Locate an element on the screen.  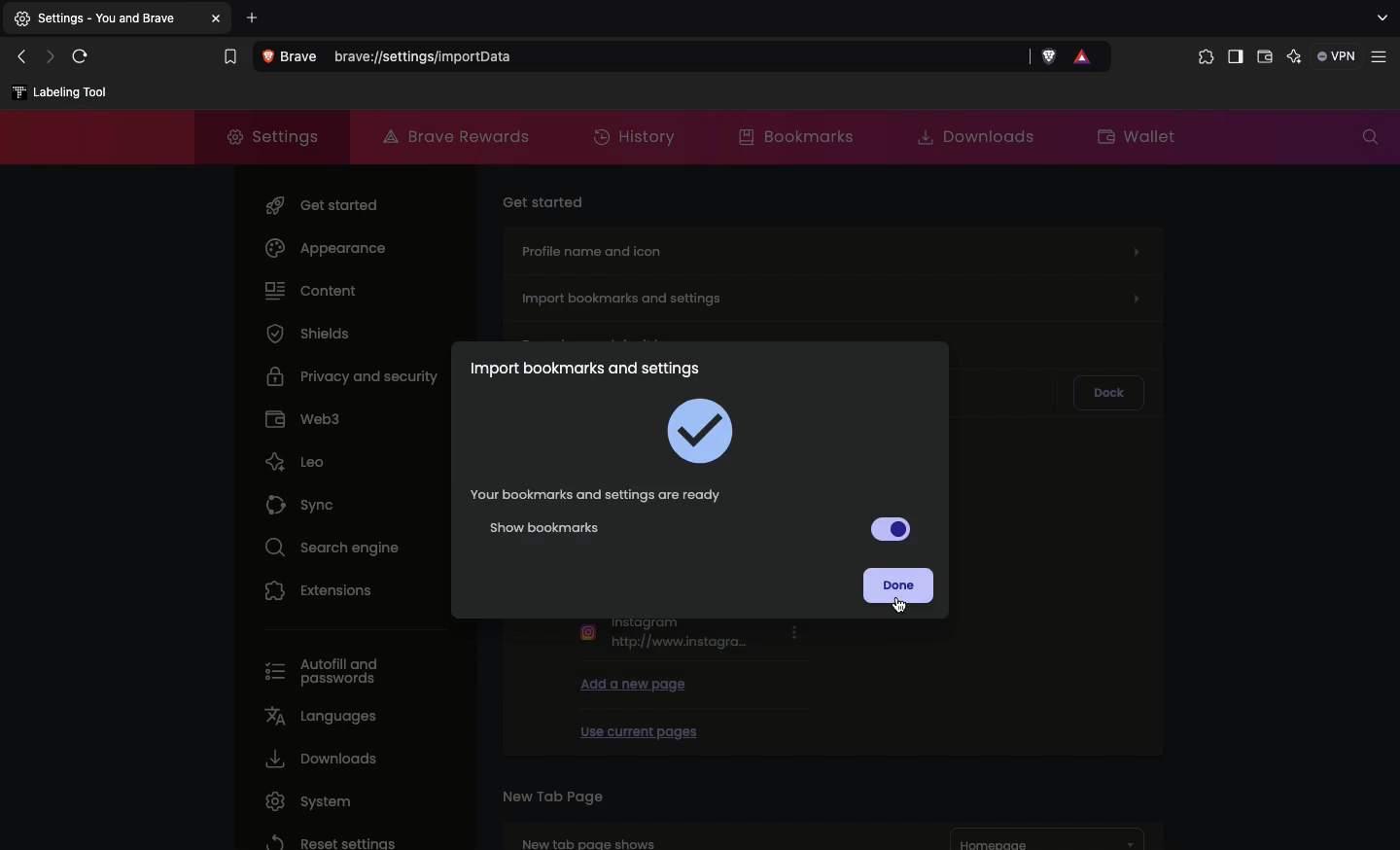
Leo is located at coordinates (295, 457).